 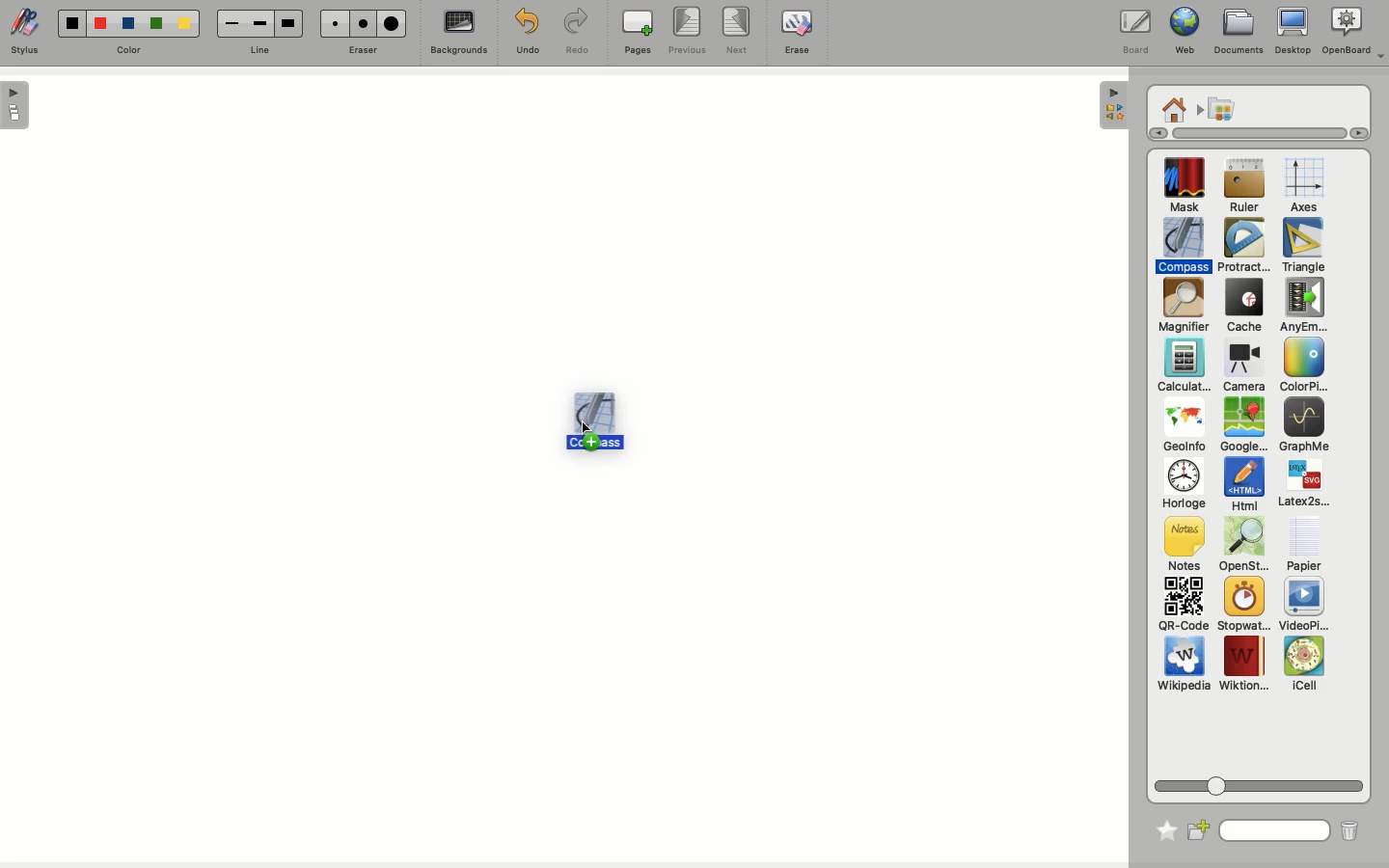 What do you see at coordinates (739, 32) in the screenshot?
I see `Next` at bounding box center [739, 32].